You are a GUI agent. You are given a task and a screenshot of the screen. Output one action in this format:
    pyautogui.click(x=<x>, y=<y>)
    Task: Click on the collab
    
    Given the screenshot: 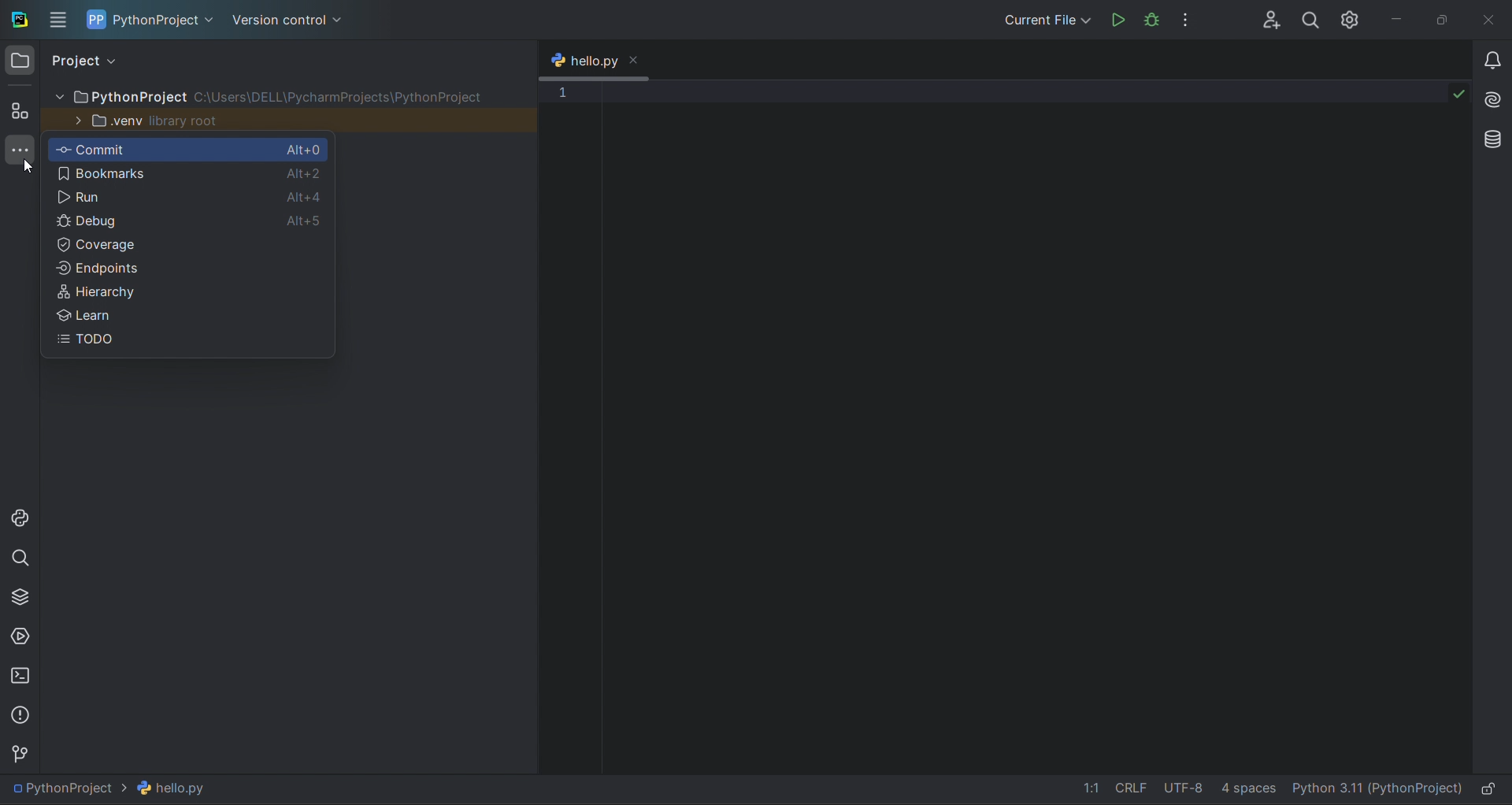 What is the action you would take?
    pyautogui.click(x=1272, y=20)
    